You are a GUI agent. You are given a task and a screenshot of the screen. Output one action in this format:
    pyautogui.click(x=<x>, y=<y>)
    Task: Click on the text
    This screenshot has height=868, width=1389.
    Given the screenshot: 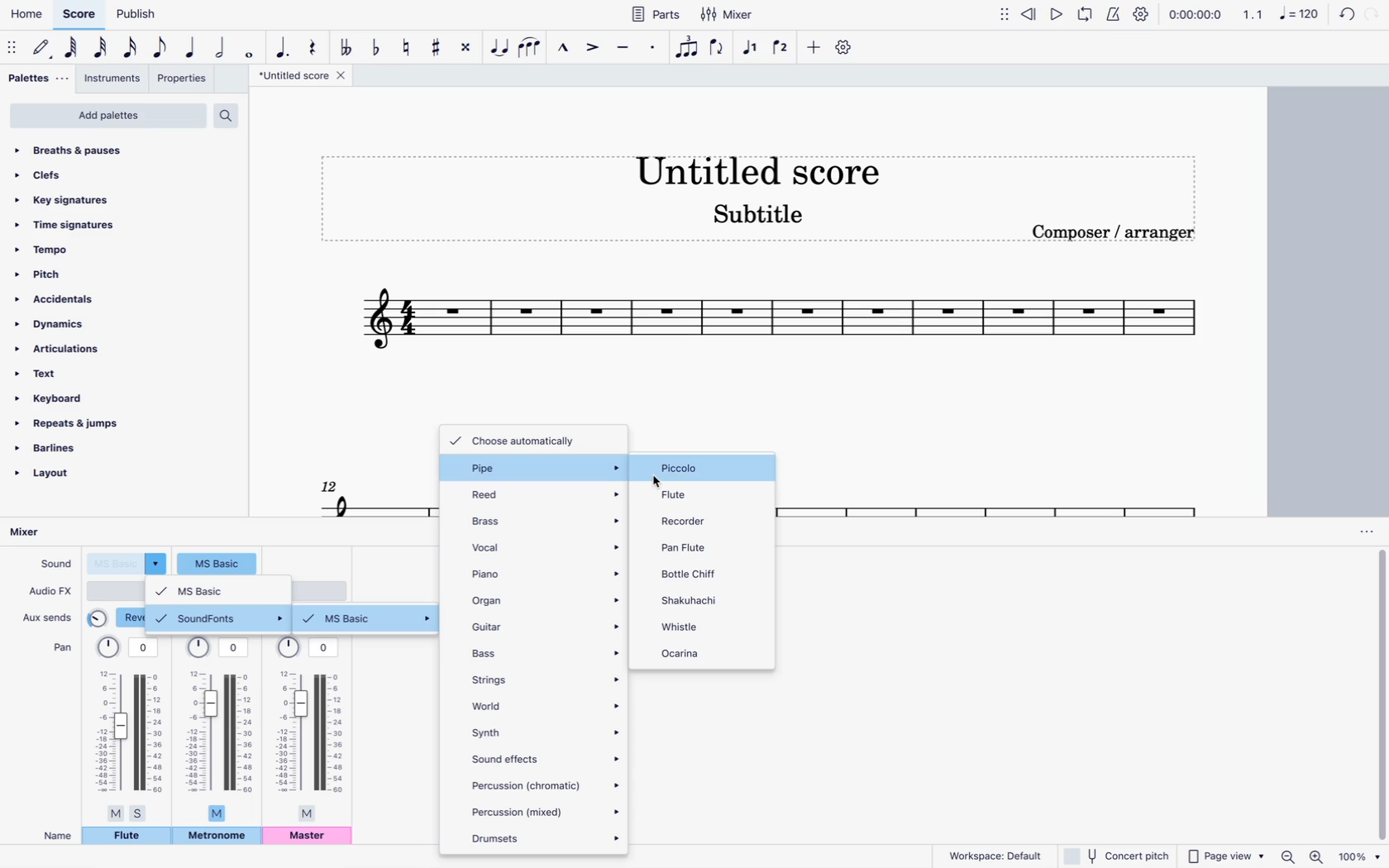 What is the action you would take?
    pyautogui.click(x=61, y=375)
    